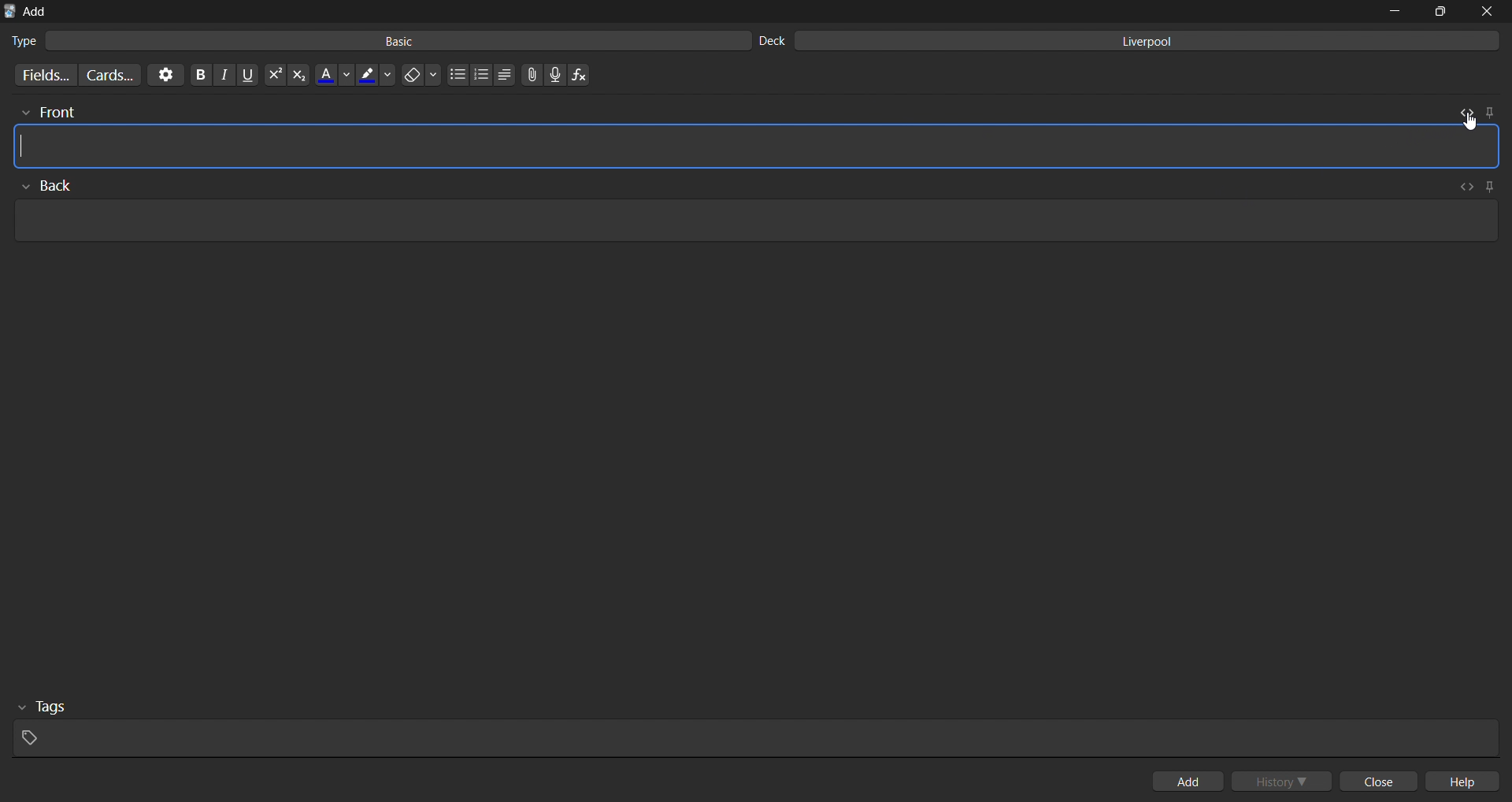 The image size is (1512, 802). I want to click on italic, so click(223, 76).